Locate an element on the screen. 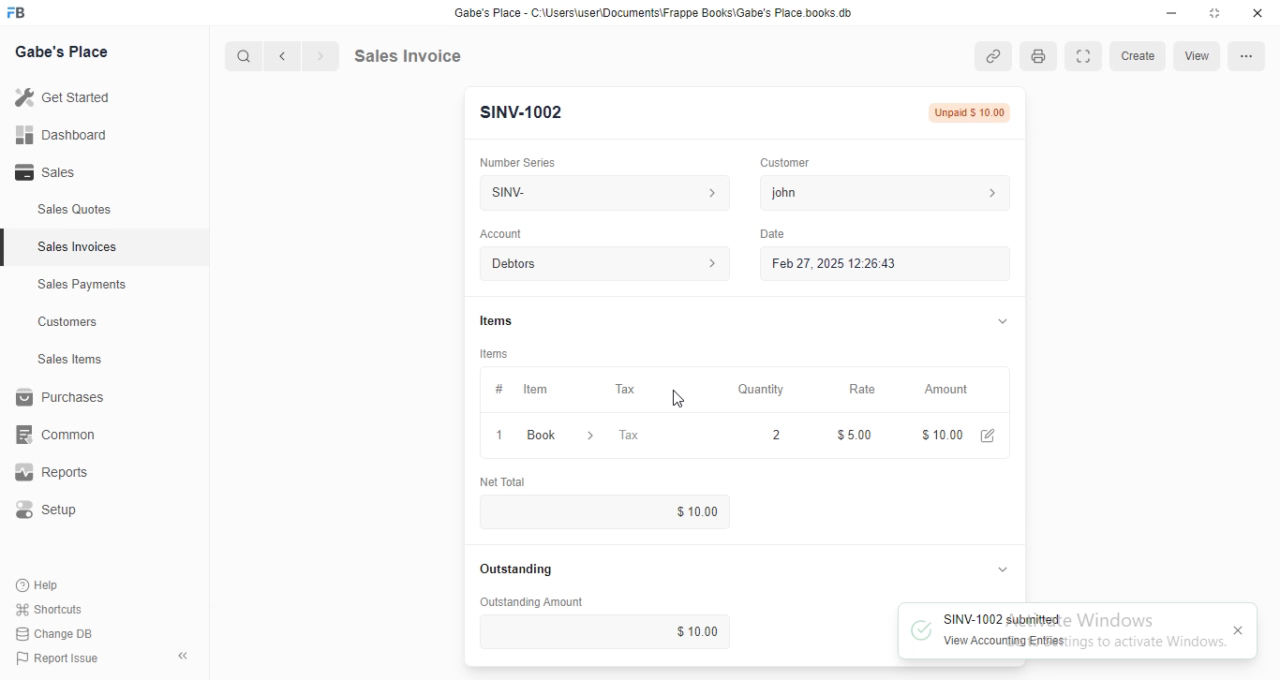 This screenshot has width=1280, height=680. common is located at coordinates (57, 436).